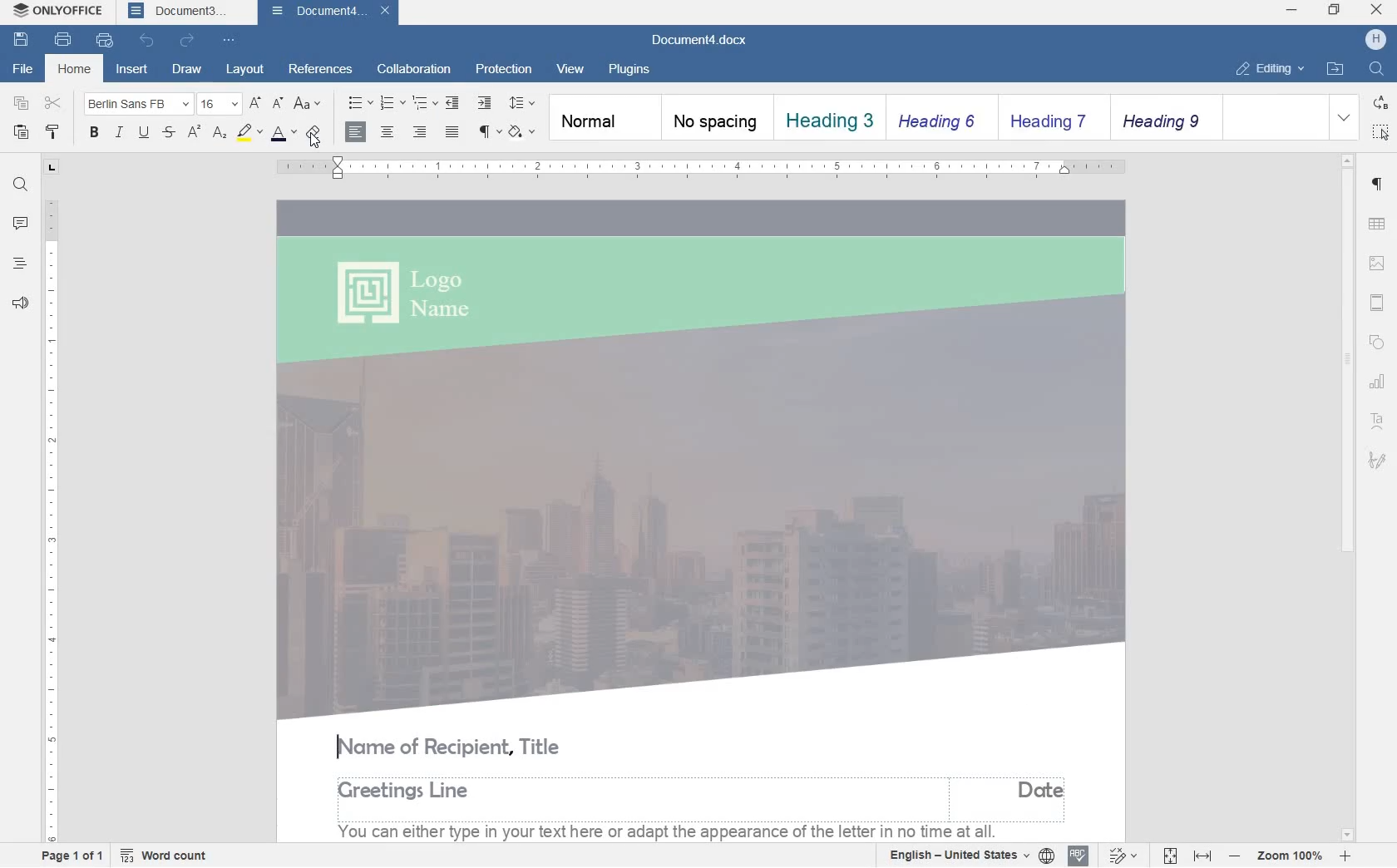 The height and width of the screenshot is (868, 1397). I want to click on plugins, so click(630, 69).